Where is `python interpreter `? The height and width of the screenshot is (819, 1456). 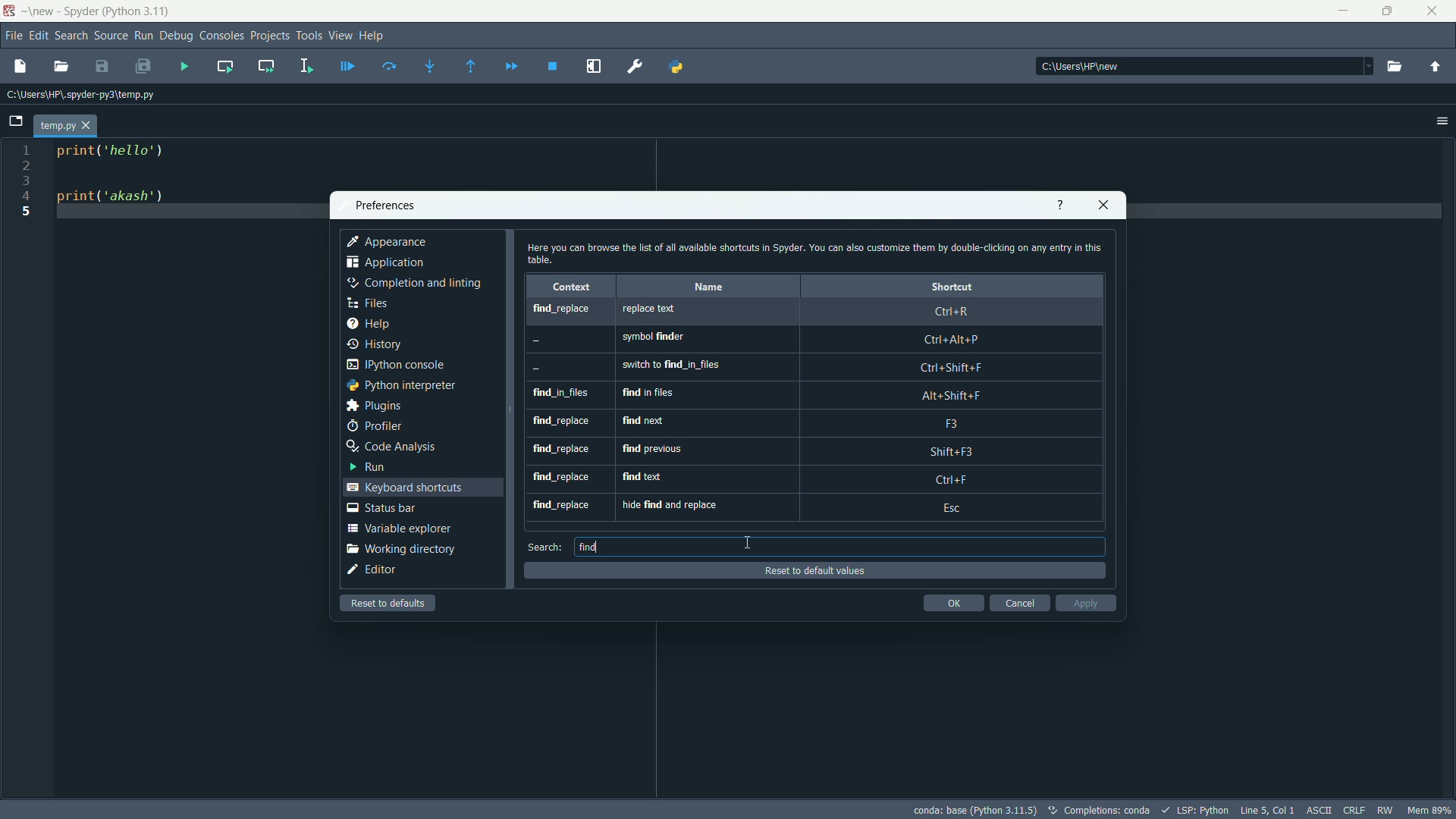
python interpreter  is located at coordinates (400, 385).